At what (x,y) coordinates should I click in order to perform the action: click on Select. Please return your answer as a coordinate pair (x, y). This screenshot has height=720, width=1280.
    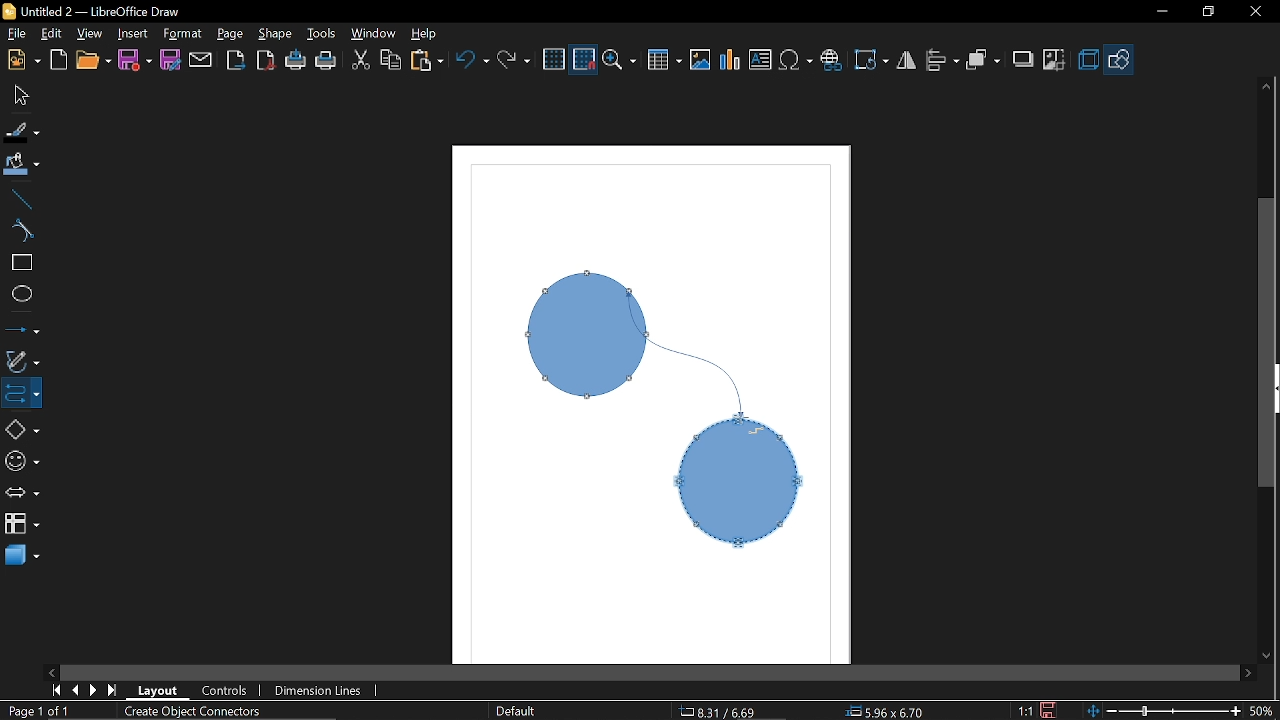
    Looking at the image, I should click on (22, 95).